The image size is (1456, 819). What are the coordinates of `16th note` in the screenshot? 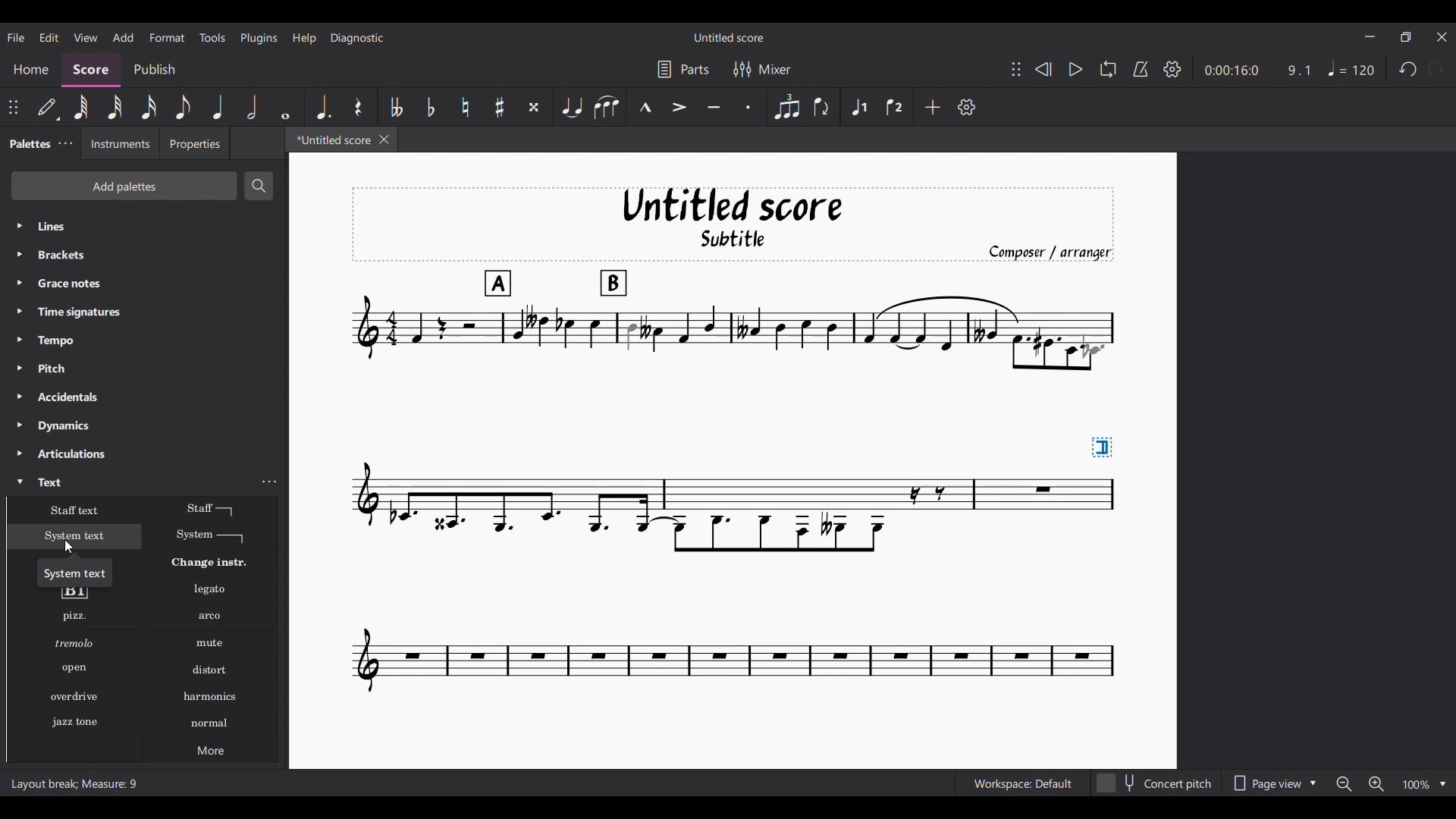 It's located at (149, 107).